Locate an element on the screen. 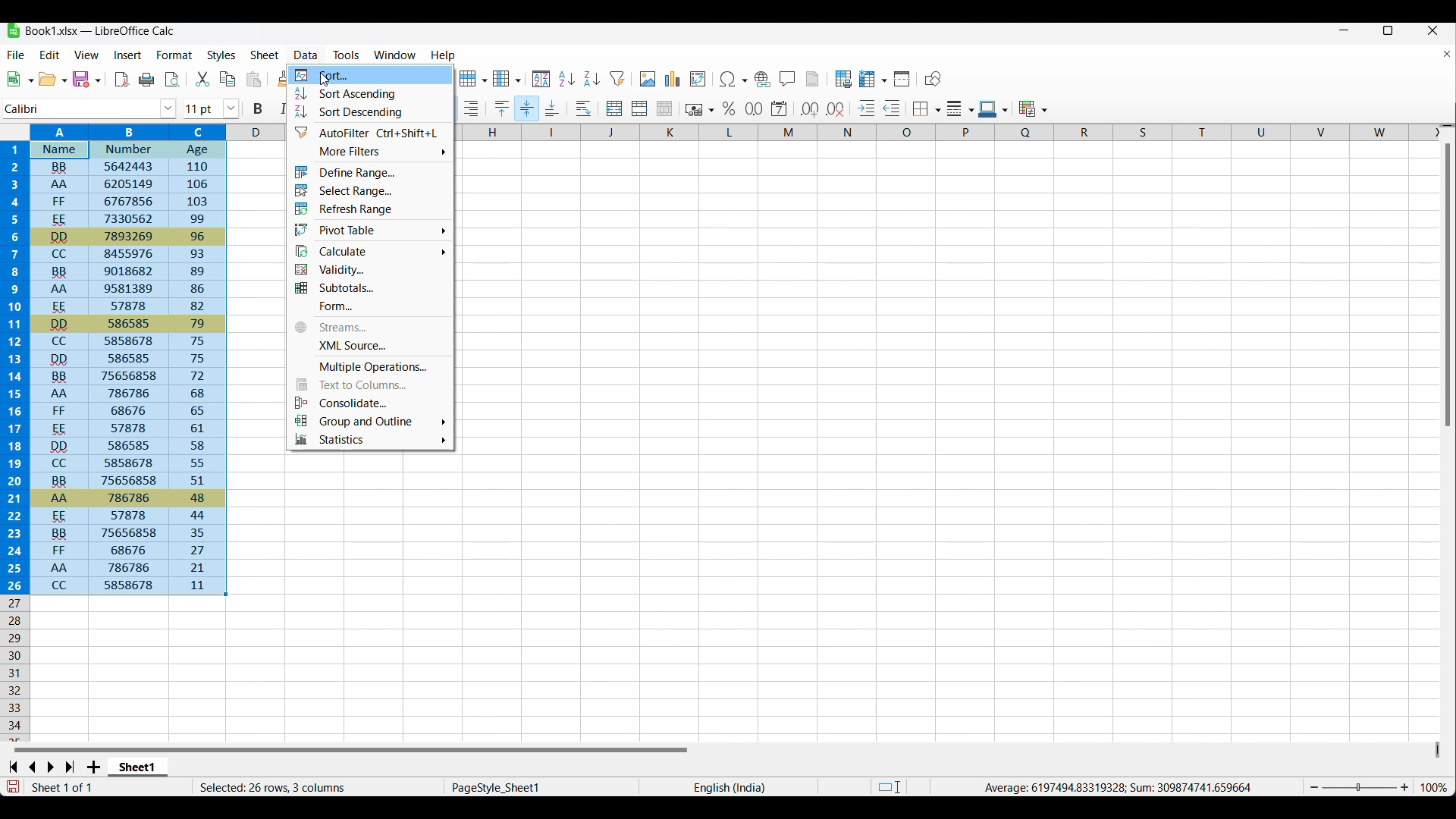 This screenshot has height=819, width=1456. Form is located at coordinates (370, 306).